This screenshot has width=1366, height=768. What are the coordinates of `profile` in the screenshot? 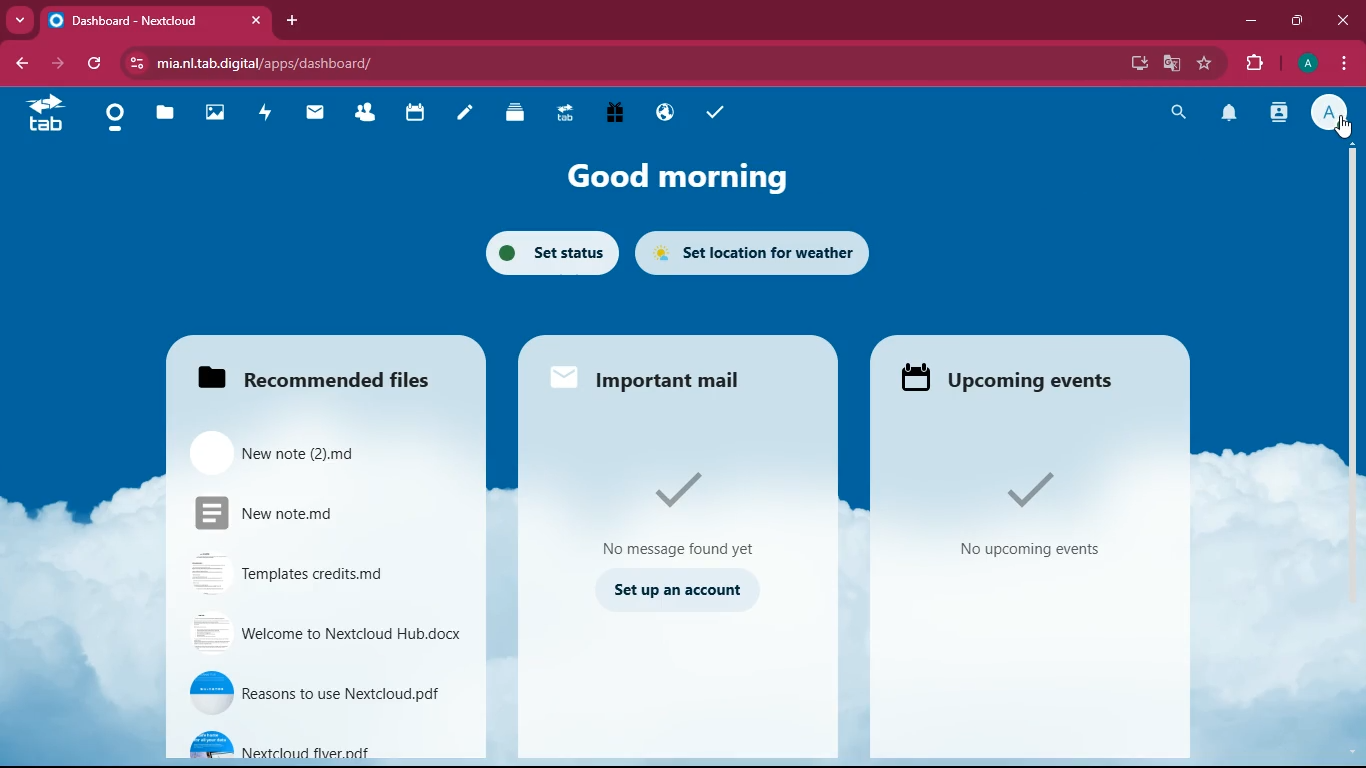 It's located at (1328, 112).